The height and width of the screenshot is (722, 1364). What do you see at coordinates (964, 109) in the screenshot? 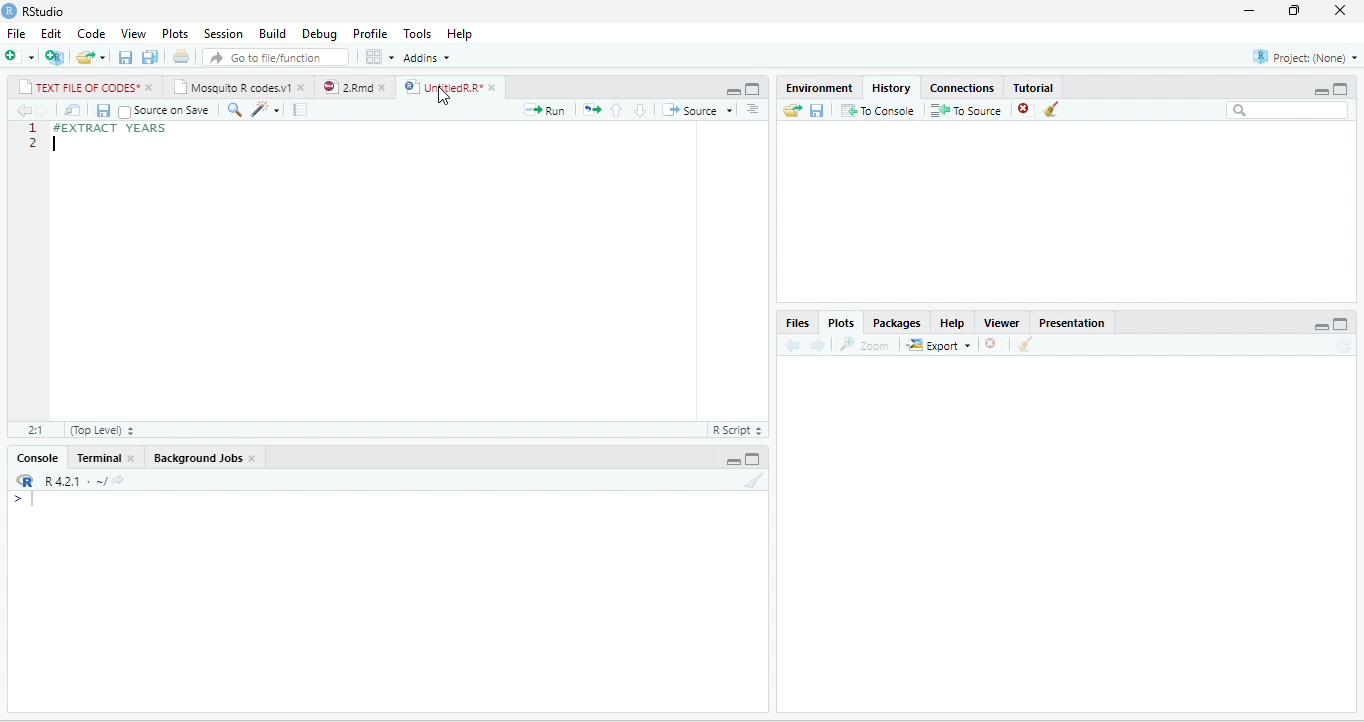
I see `To source` at bounding box center [964, 109].